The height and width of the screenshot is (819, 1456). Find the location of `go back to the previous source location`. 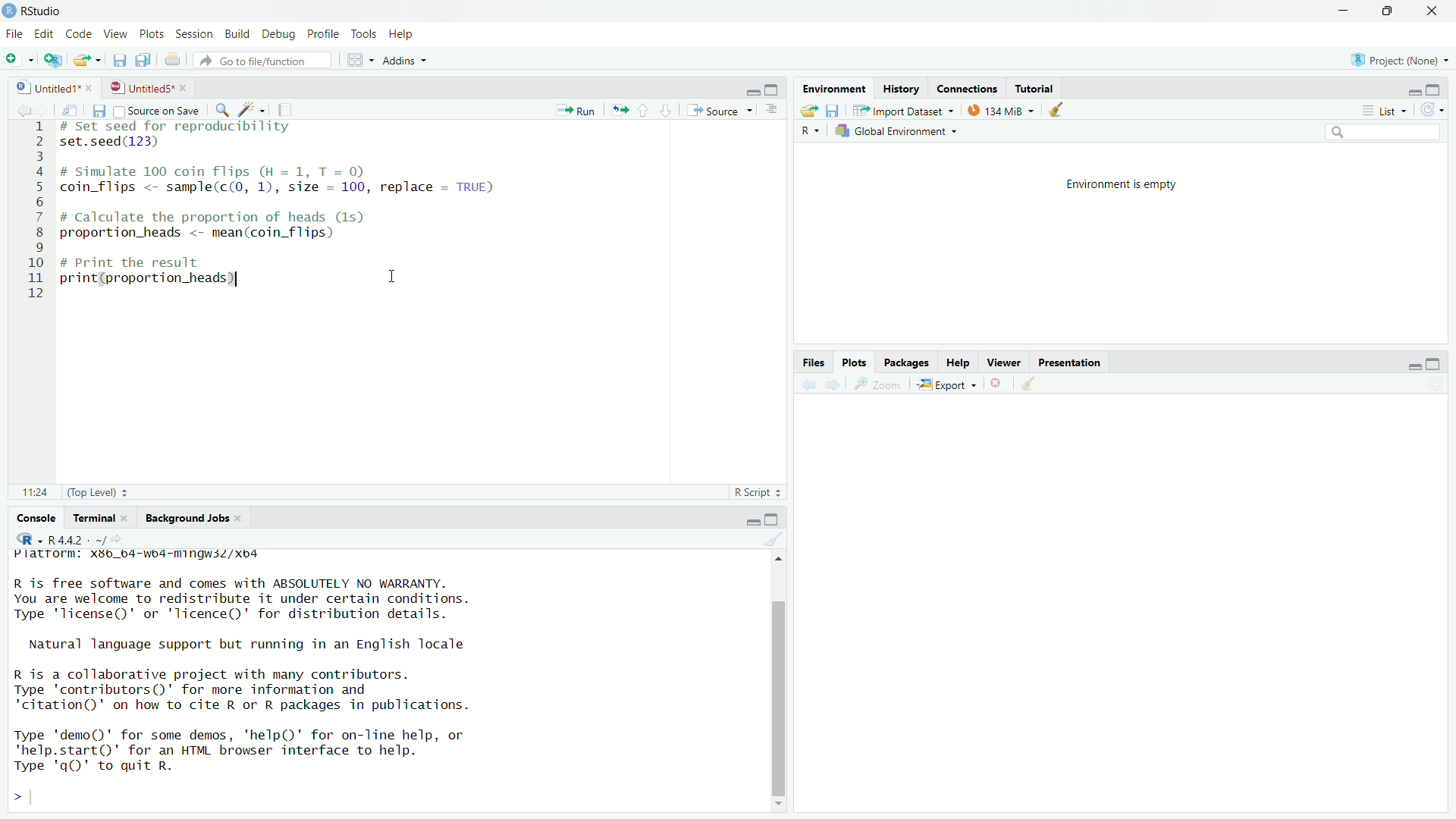

go back to the previous source location is located at coordinates (15, 108).